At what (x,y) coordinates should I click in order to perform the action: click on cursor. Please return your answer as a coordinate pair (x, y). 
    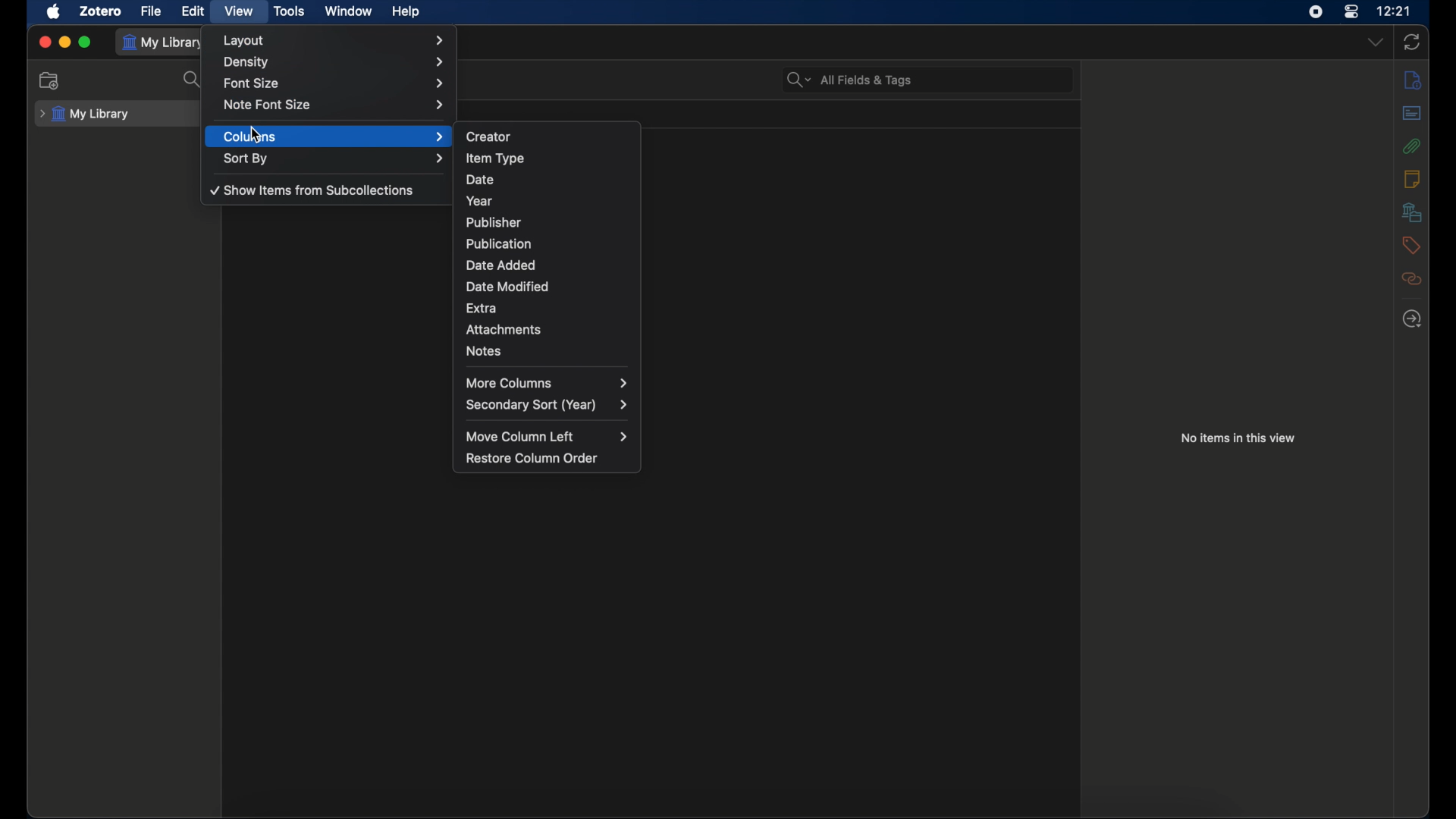
    Looking at the image, I should click on (256, 134).